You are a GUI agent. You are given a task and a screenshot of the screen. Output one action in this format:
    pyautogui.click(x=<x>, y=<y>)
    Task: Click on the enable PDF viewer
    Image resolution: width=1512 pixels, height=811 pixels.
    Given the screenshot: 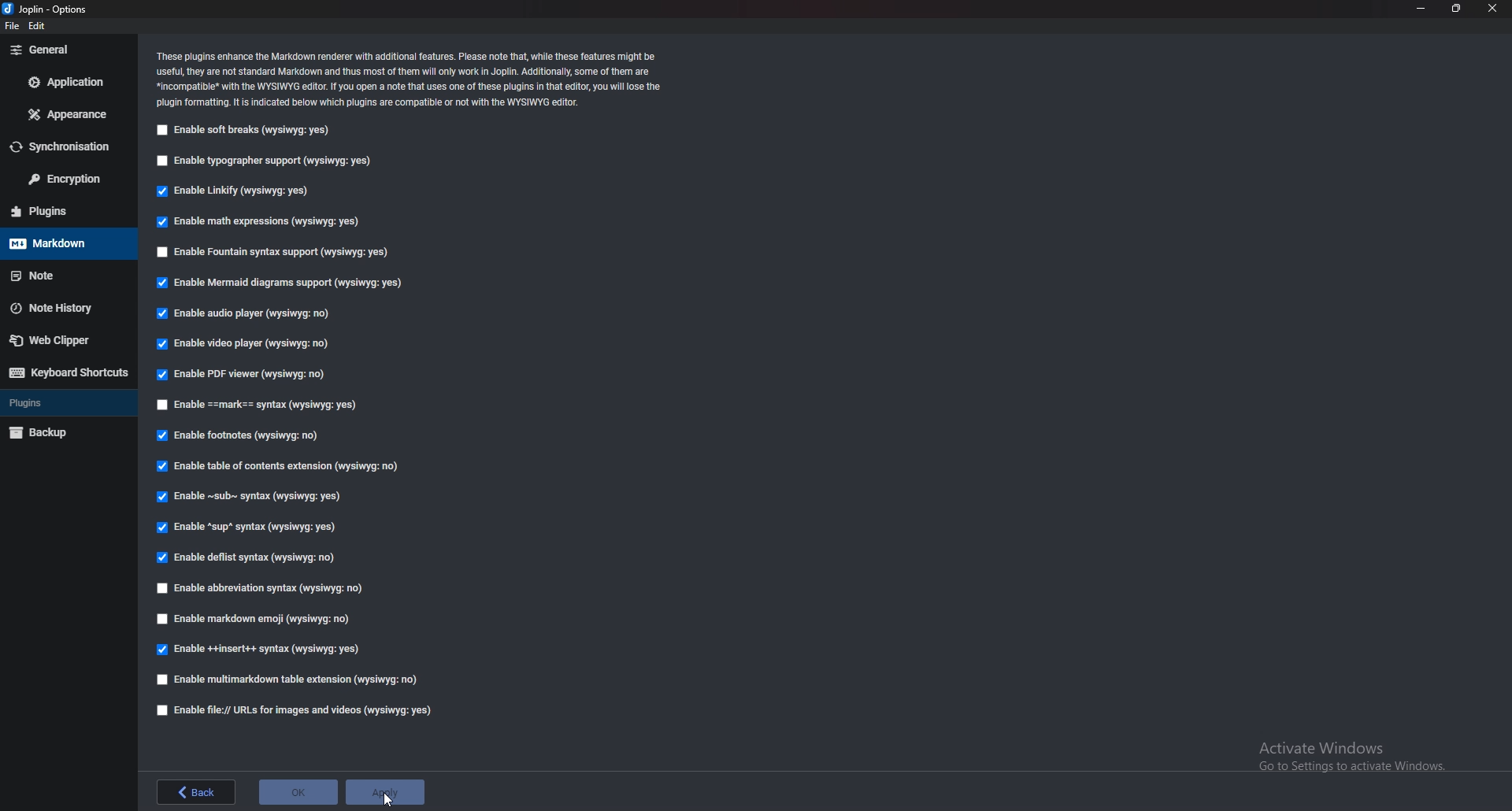 What is the action you would take?
    pyautogui.click(x=245, y=376)
    